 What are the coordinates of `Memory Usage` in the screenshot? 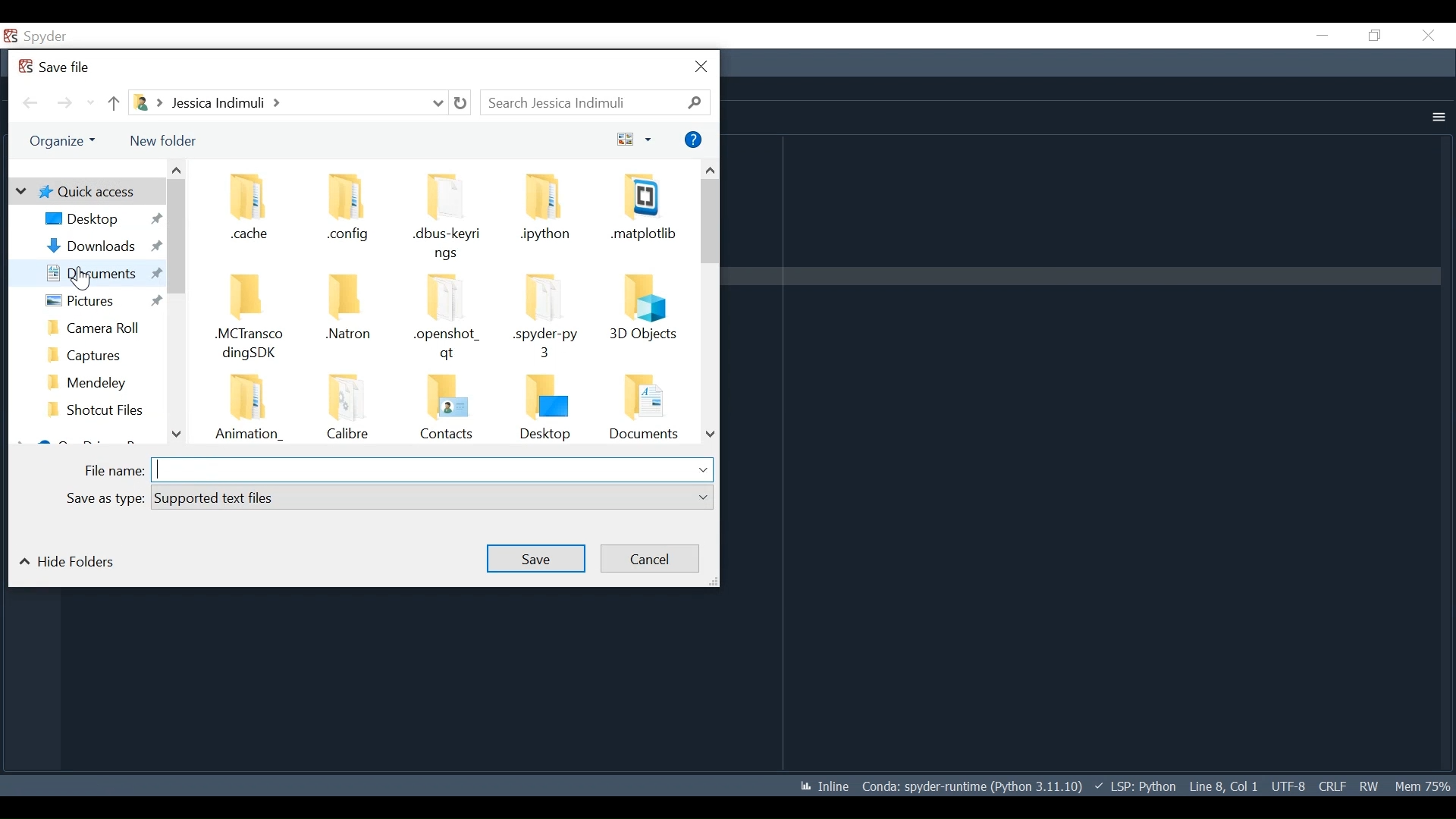 It's located at (1421, 785).